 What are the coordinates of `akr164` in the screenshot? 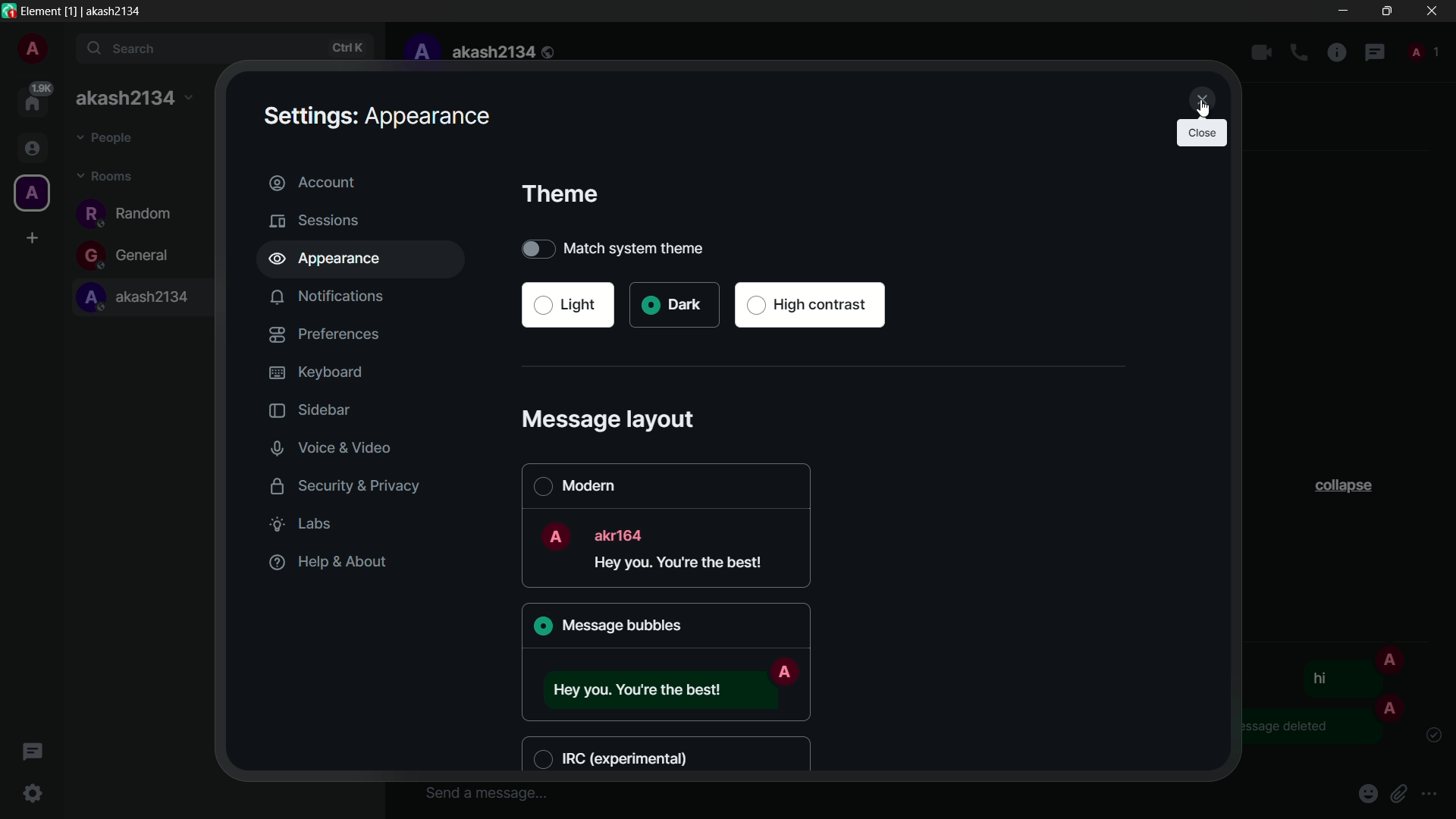 It's located at (623, 534).